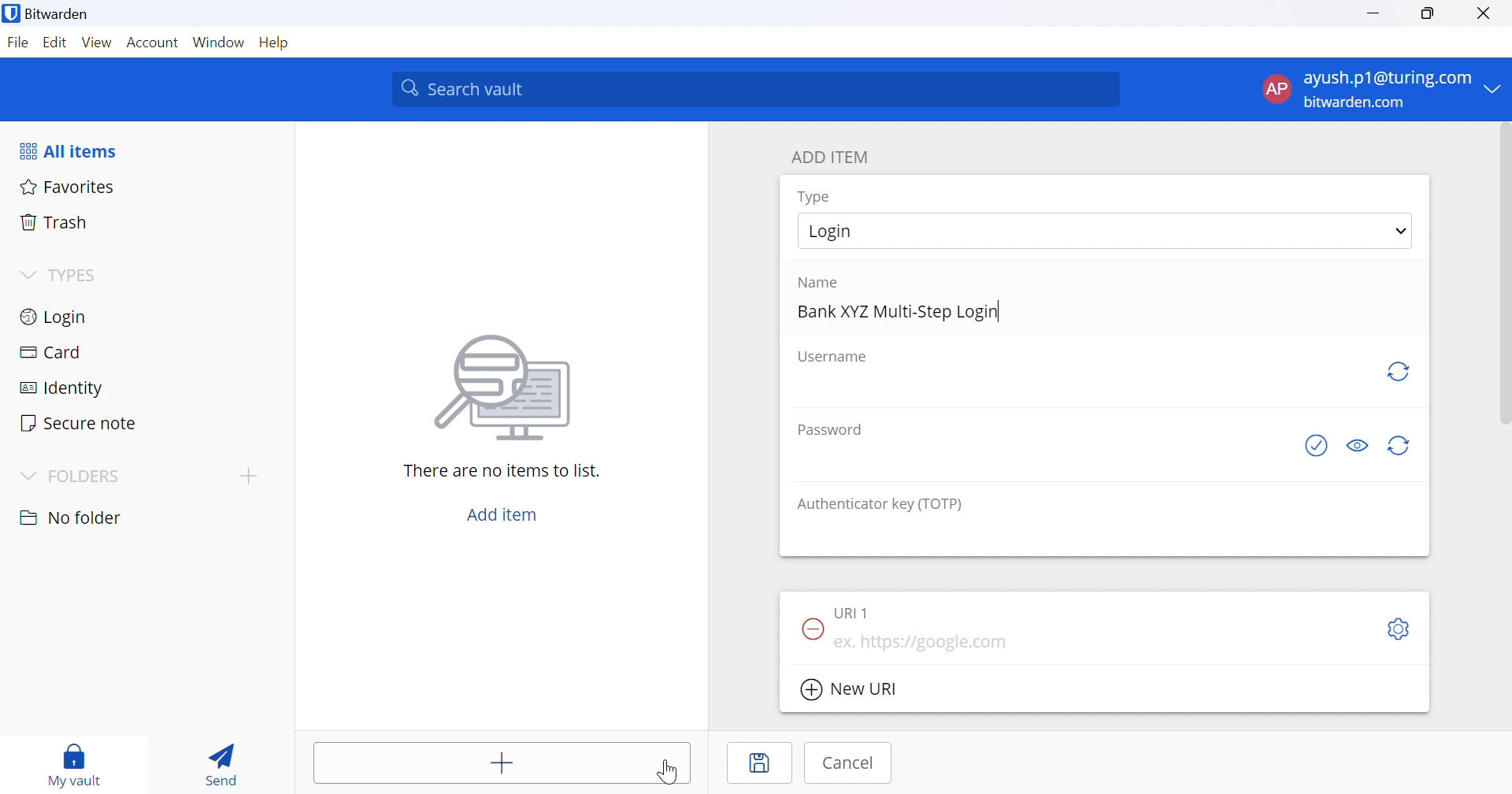 Image resolution: width=1512 pixels, height=794 pixels. What do you see at coordinates (56, 315) in the screenshot?
I see `Login` at bounding box center [56, 315].